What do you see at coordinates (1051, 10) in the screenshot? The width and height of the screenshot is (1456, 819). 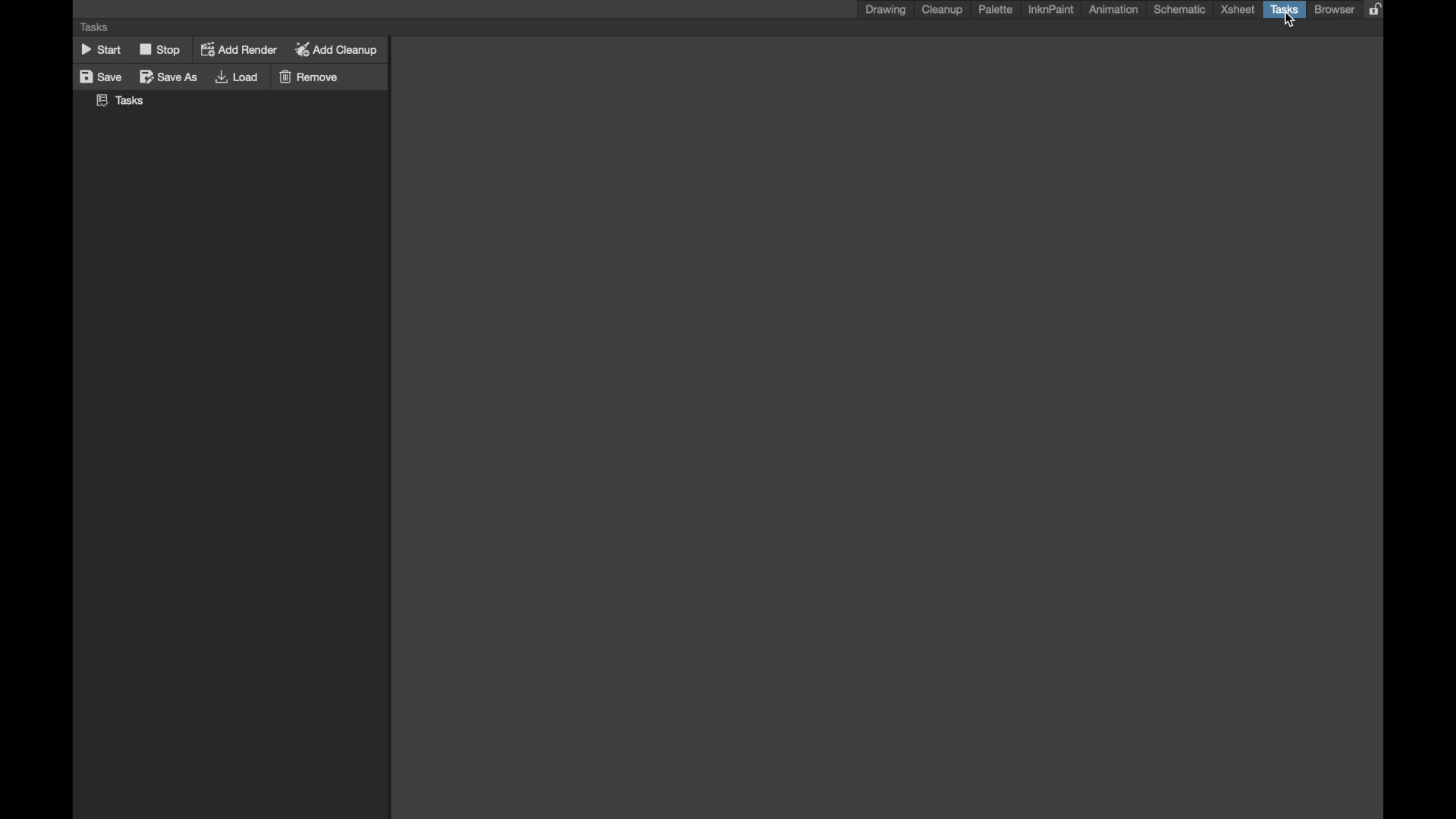 I see `inknpaint` at bounding box center [1051, 10].